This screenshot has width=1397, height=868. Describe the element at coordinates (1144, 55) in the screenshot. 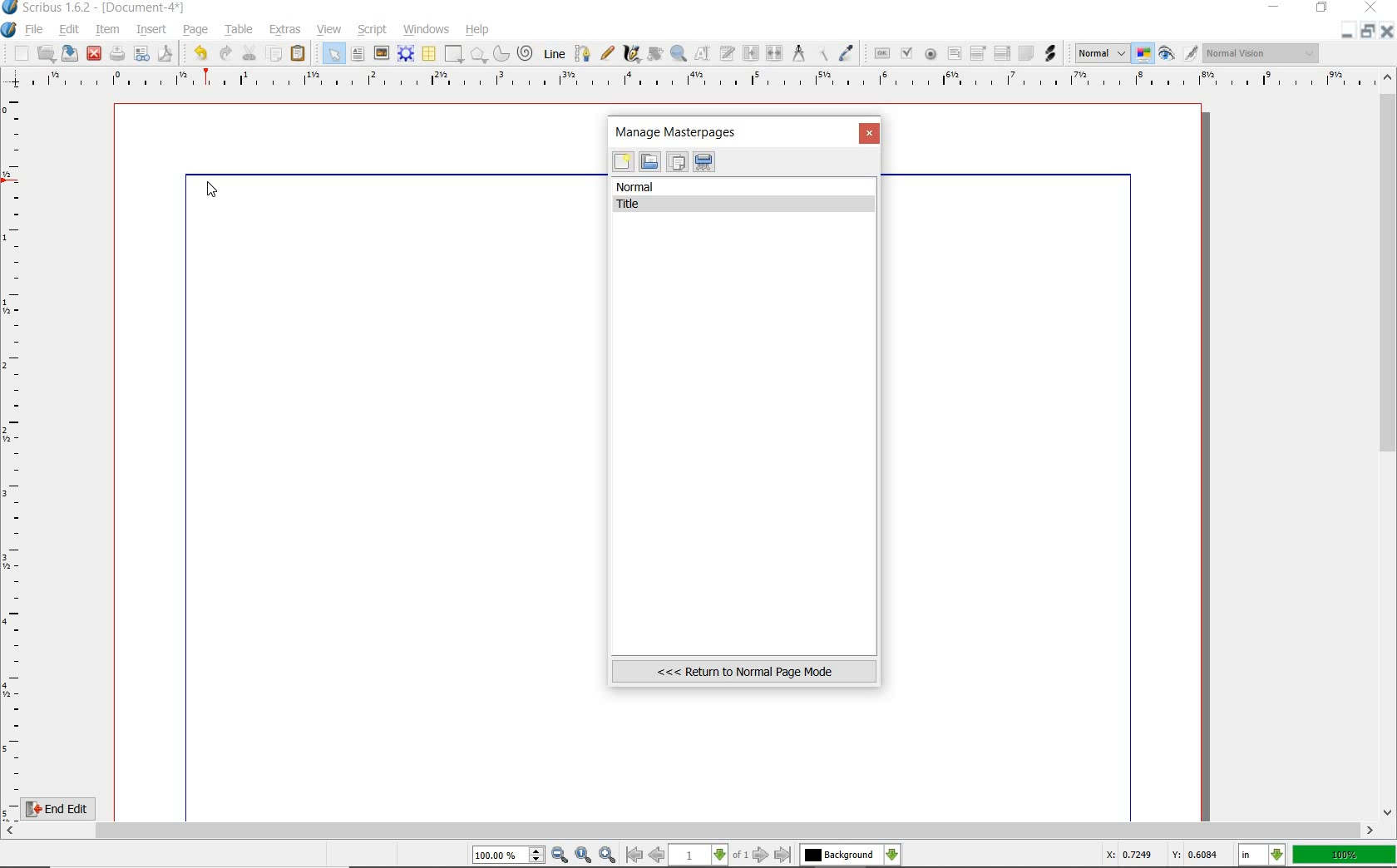

I see `toggle color management` at that location.